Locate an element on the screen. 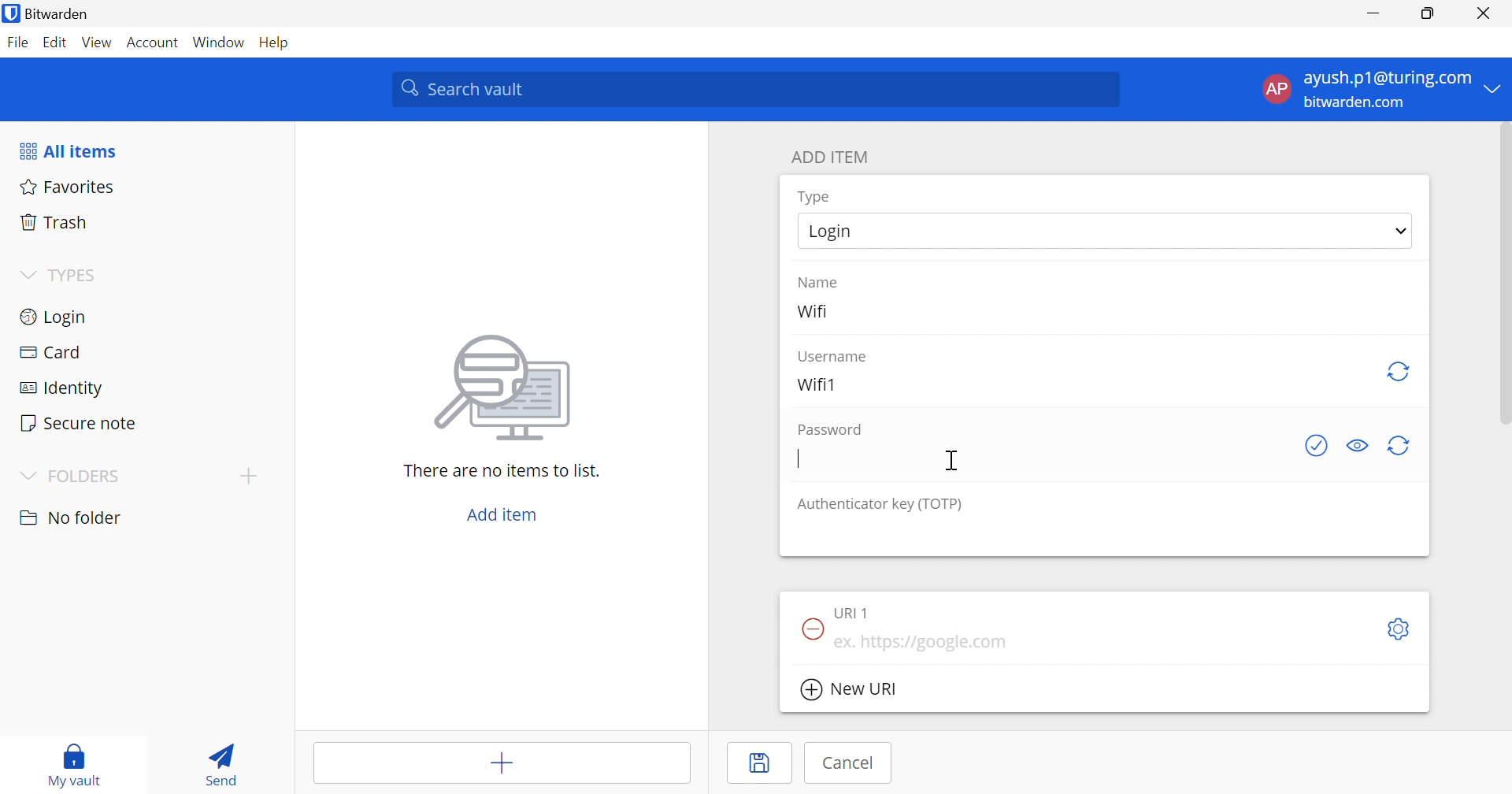 This screenshot has width=1512, height=794. Cursor is located at coordinates (952, 462).